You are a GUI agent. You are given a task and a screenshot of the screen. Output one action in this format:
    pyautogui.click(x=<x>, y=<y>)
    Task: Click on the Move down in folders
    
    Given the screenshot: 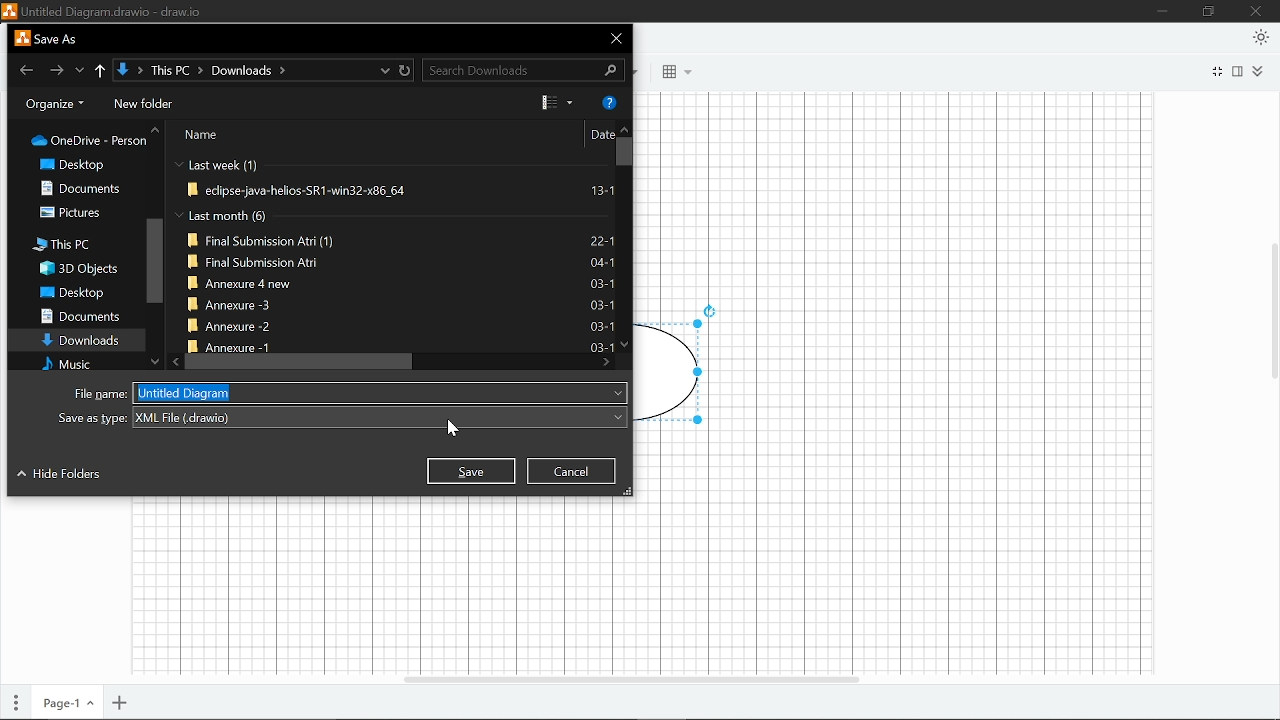 What is the action you would take?
    pyautogui.click(x=156, y=362)
    